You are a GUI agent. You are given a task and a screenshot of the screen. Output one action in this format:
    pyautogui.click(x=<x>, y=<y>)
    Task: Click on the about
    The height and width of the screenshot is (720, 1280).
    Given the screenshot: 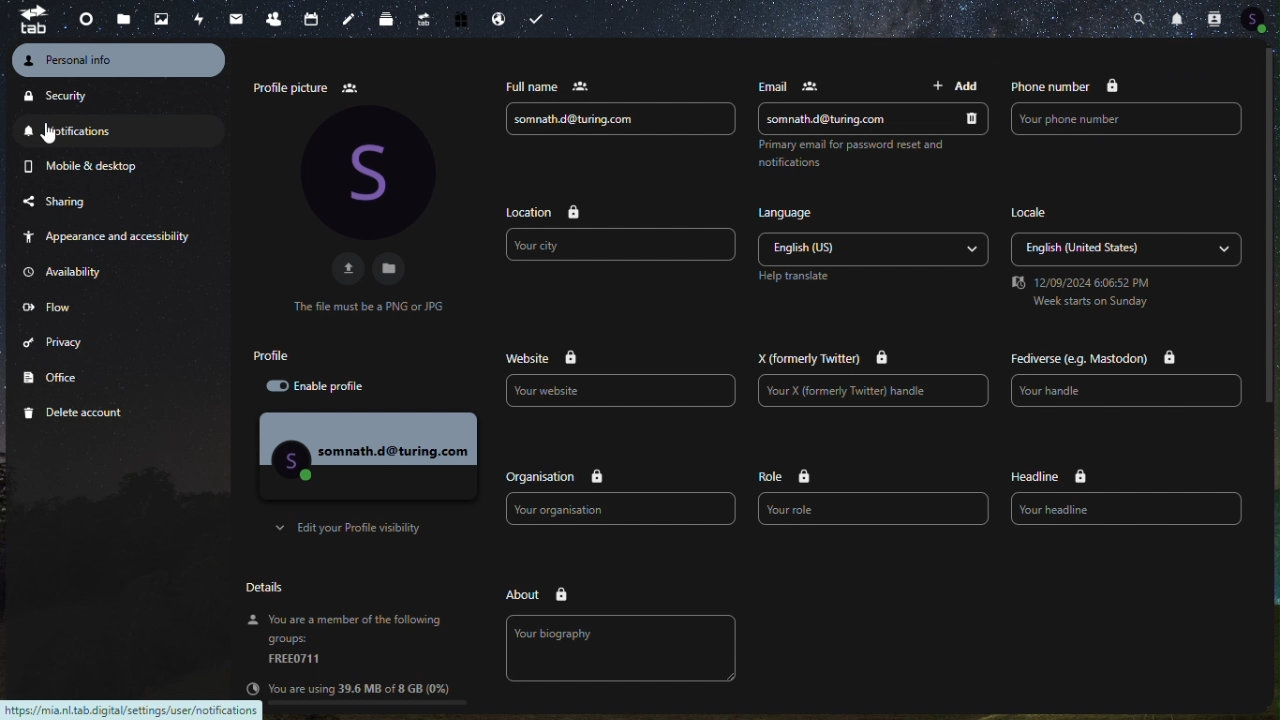 What is the action you would take?
    pyautogui.click(x=537, y=594)
    